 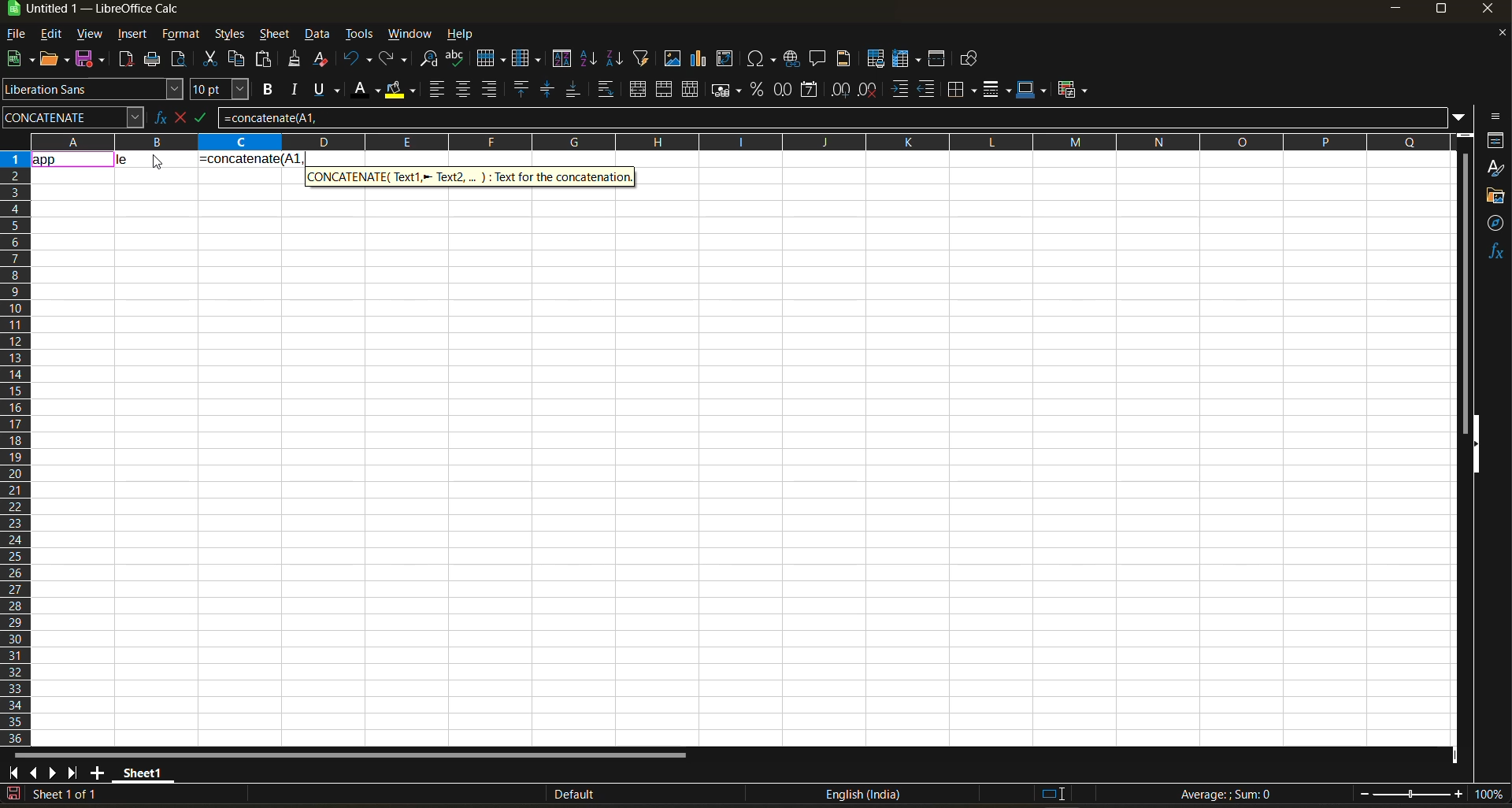 What do you see at coordinates (1475, 445) in the screenshot?
I see `hide` at bounding box center [1475, 445].